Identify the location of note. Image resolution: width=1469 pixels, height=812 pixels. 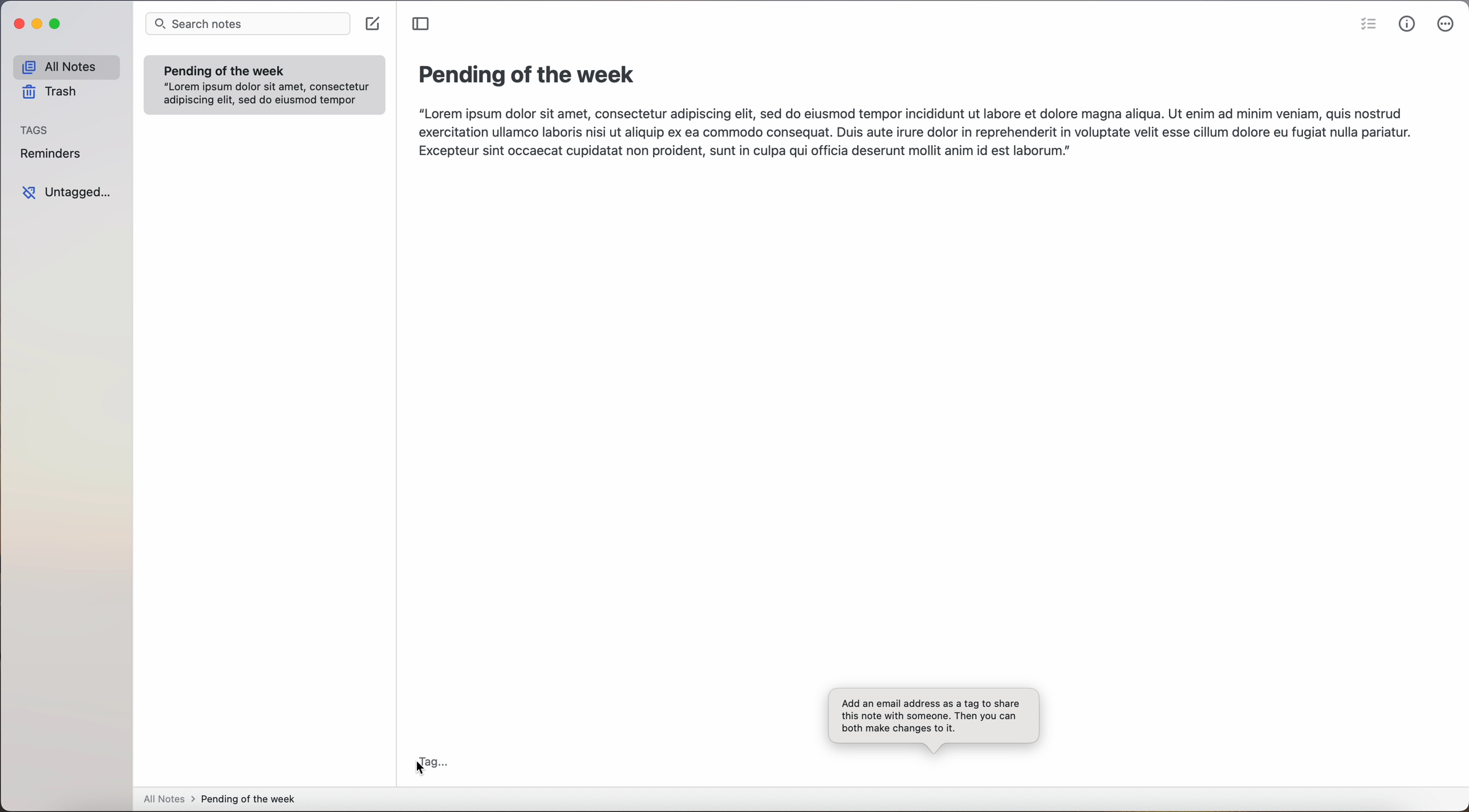
(265, 84).